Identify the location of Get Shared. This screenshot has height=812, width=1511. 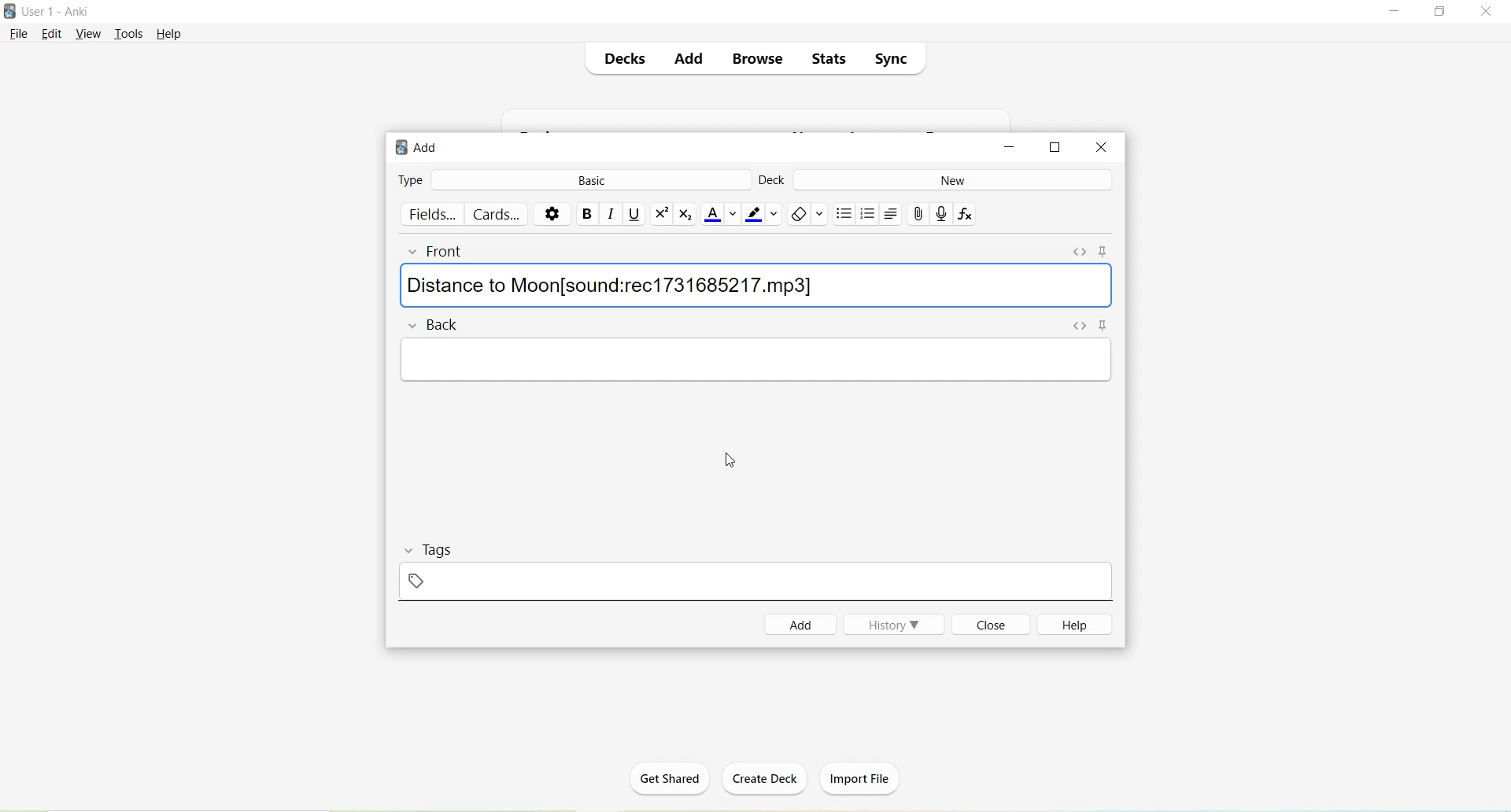
(670, 784).